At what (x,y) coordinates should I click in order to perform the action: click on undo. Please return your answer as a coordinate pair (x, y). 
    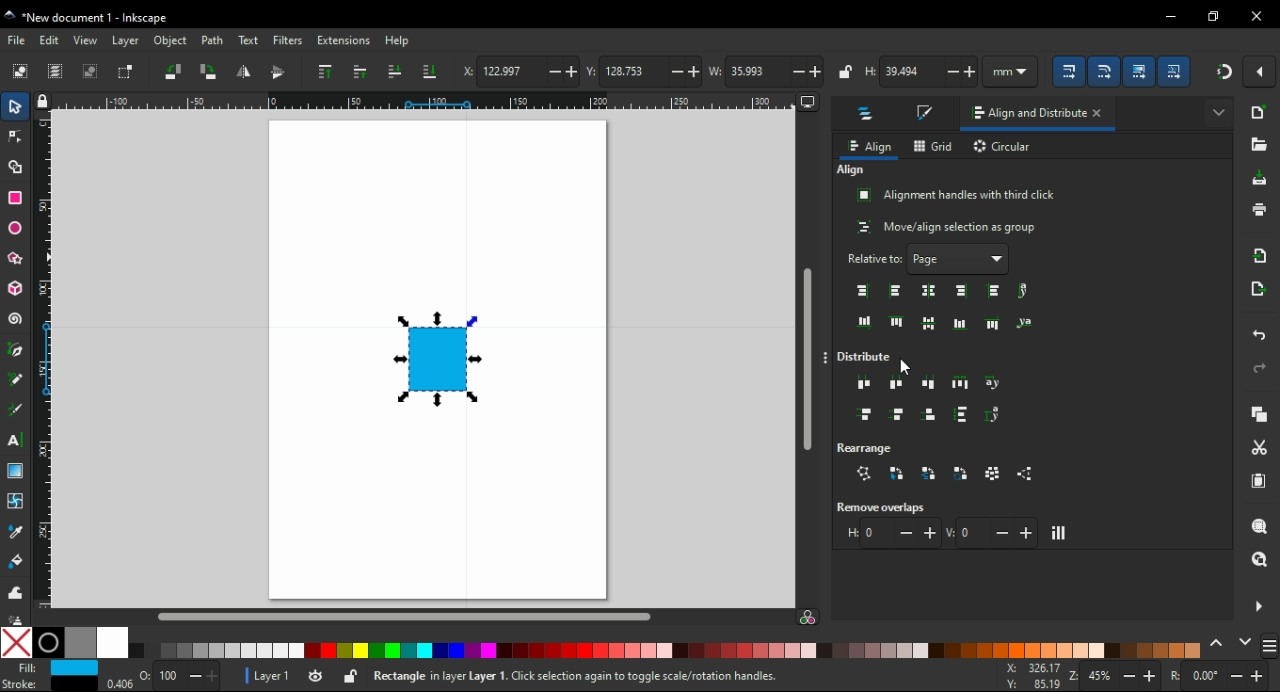
    Looking at the image, I should click on (1261, 337).